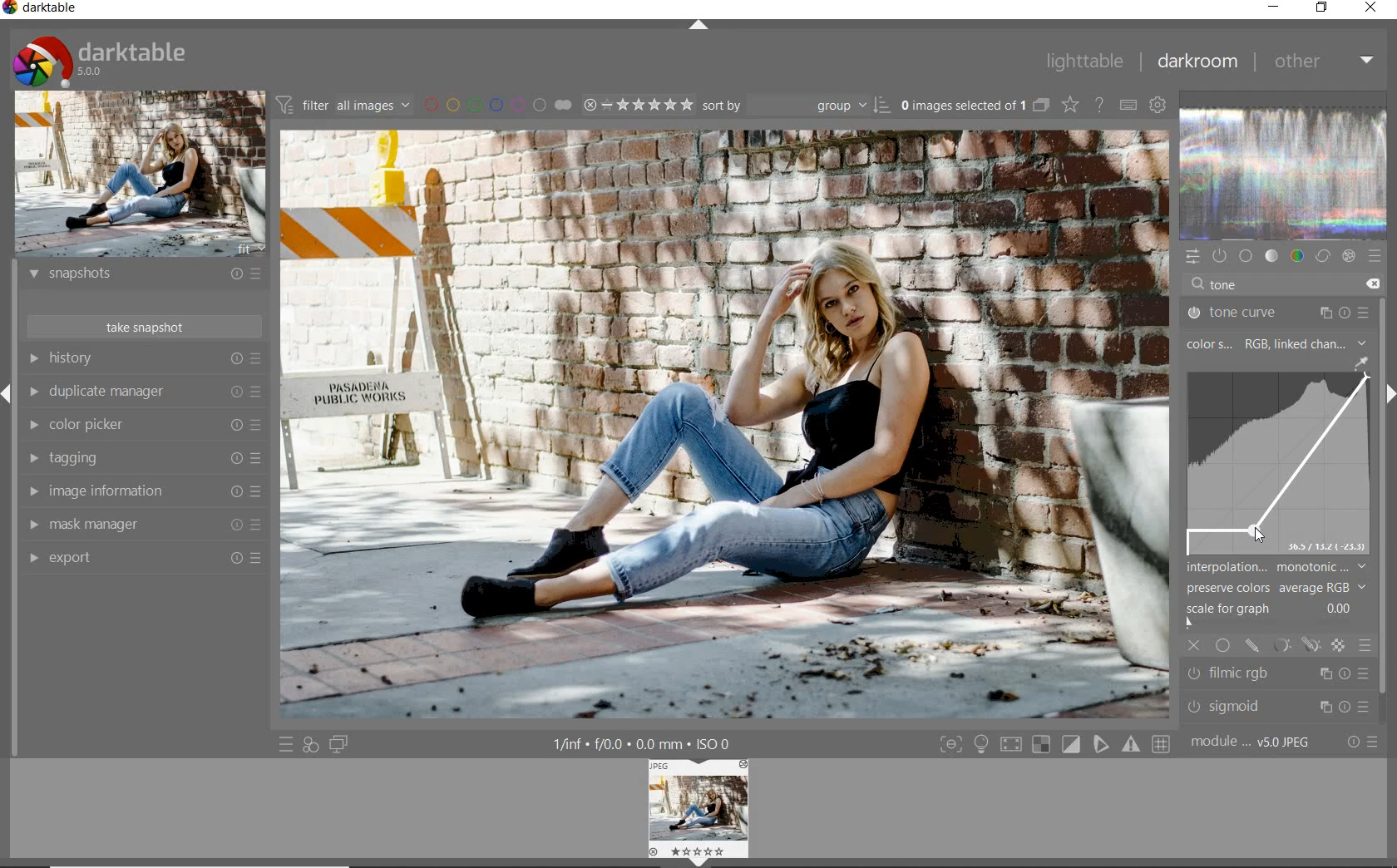 The image size is (1397, 868). Describe the element at coordinates (1250, 742) in the screenshot. I see `module` at that location.